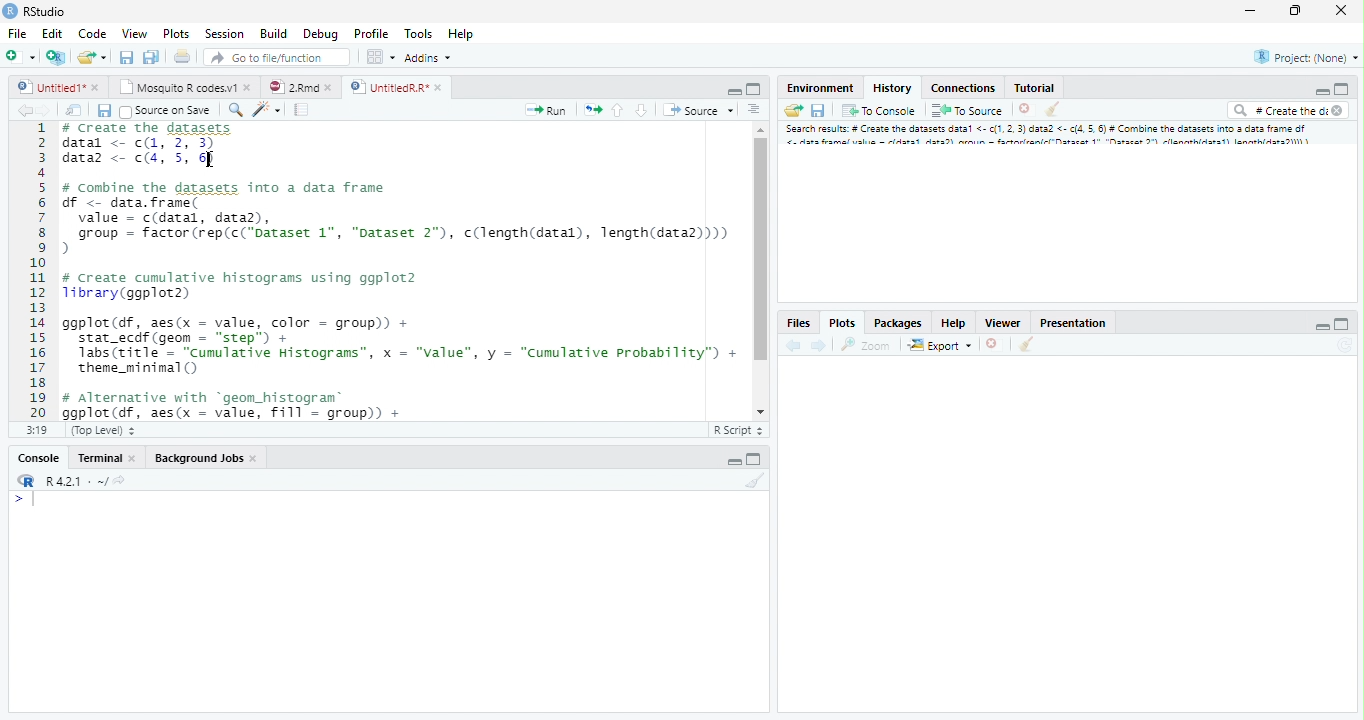  Describe the element at coordinates (698, 112) in the screenshot. I see `Source` at that location.